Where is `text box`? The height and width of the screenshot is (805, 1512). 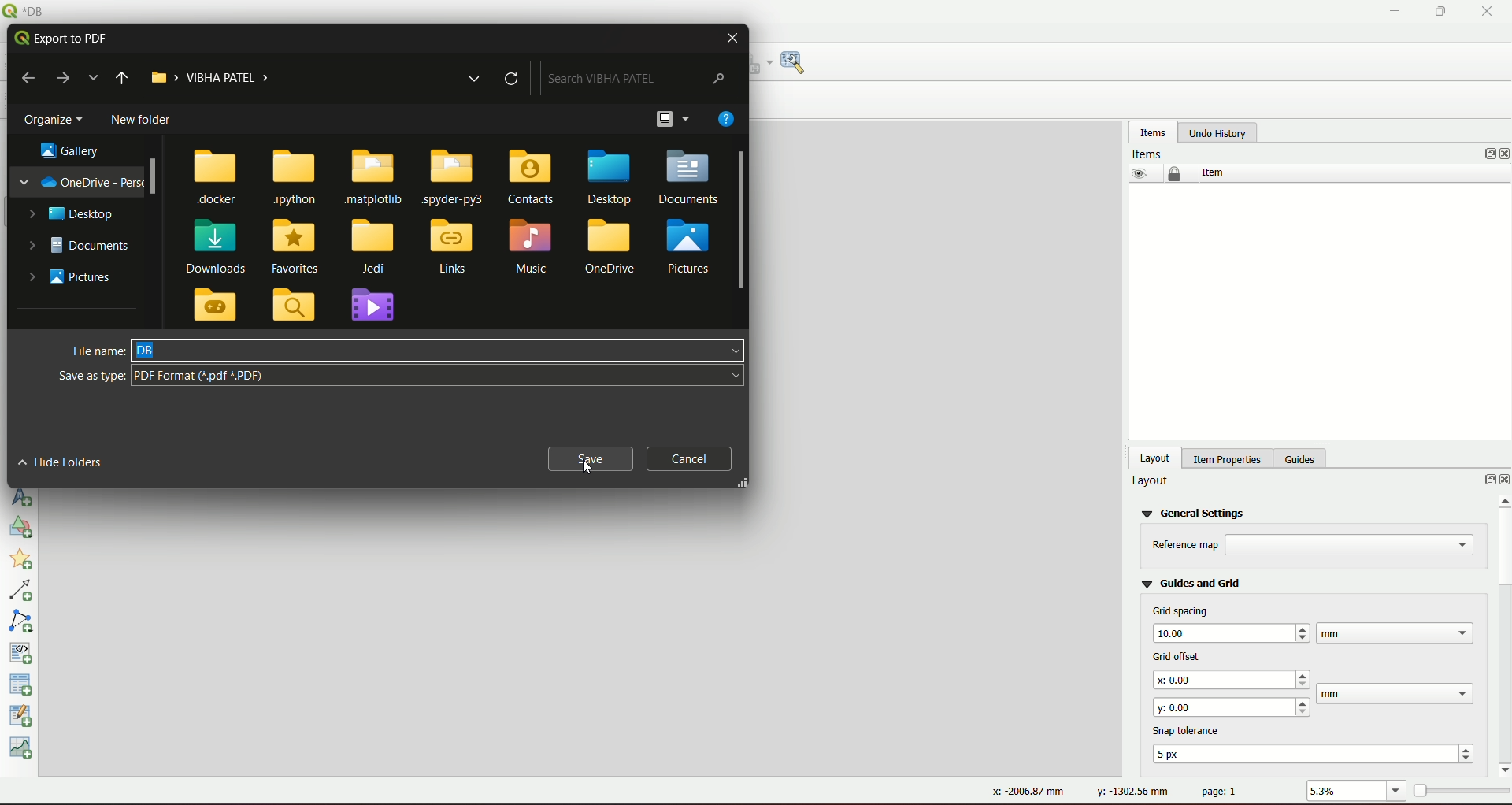
text box is located at coordinates (1397, 694).